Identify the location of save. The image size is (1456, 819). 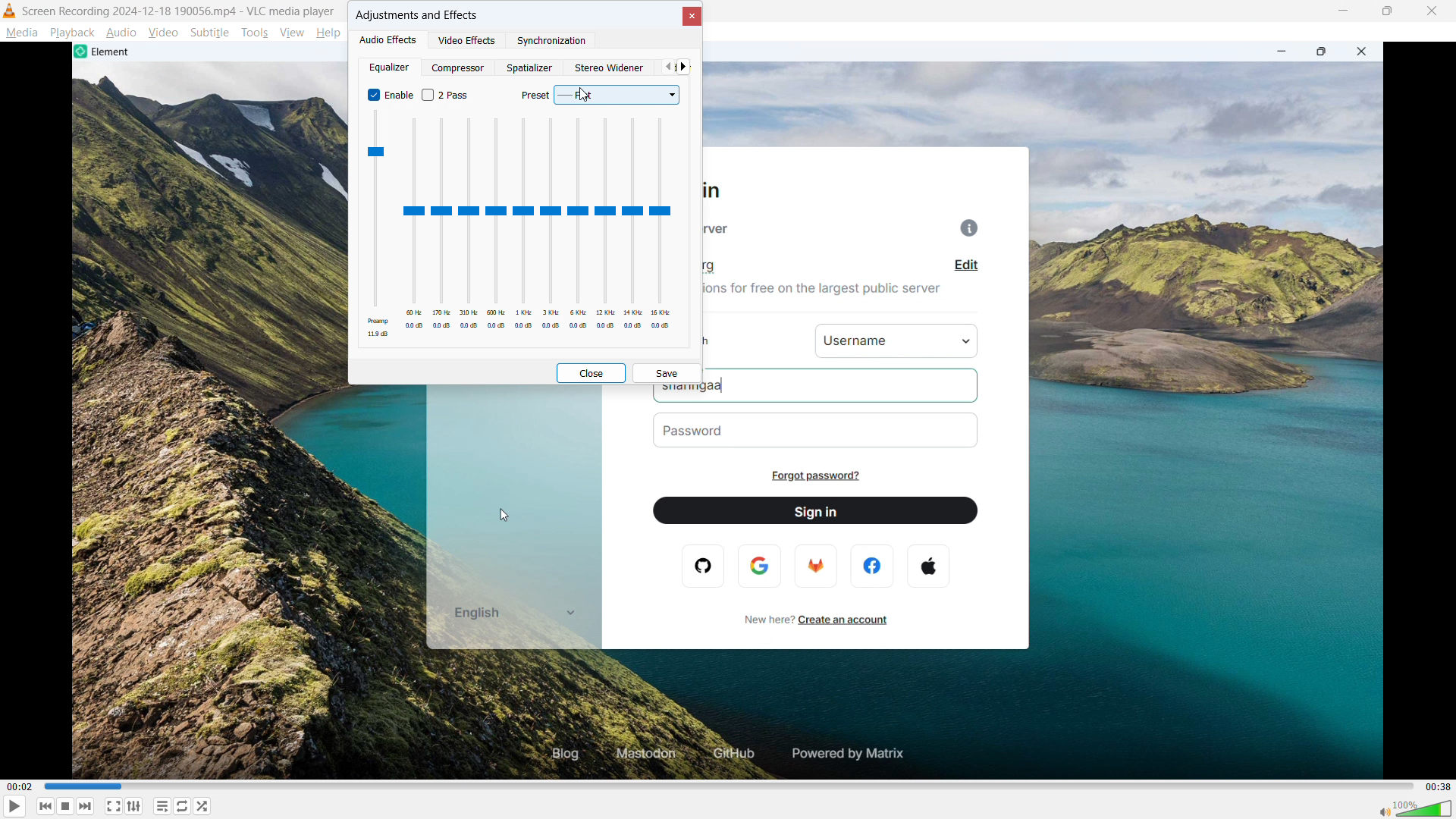
(667, 374).